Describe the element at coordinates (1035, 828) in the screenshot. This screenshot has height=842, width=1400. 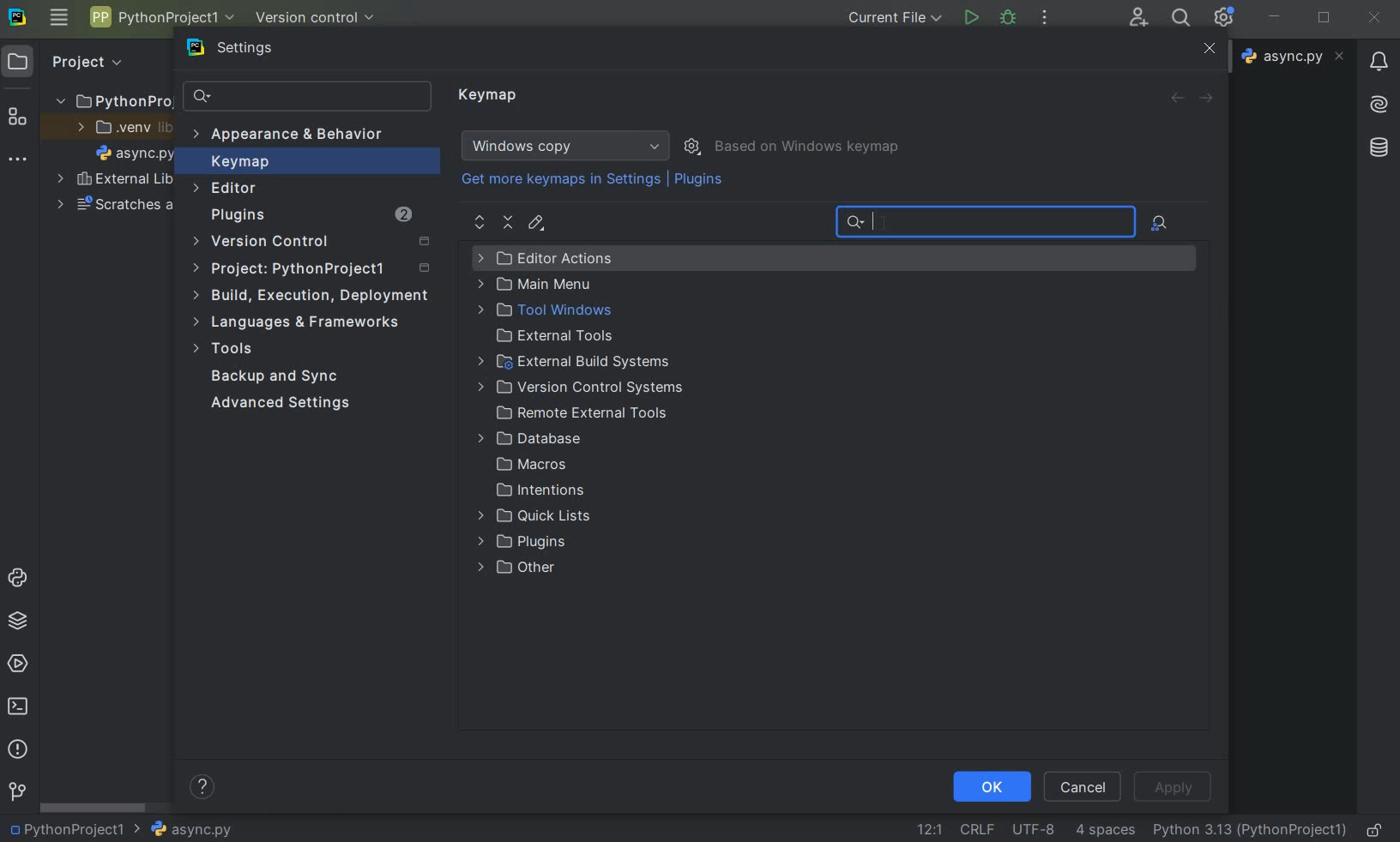
I see `file encoding` at that location.